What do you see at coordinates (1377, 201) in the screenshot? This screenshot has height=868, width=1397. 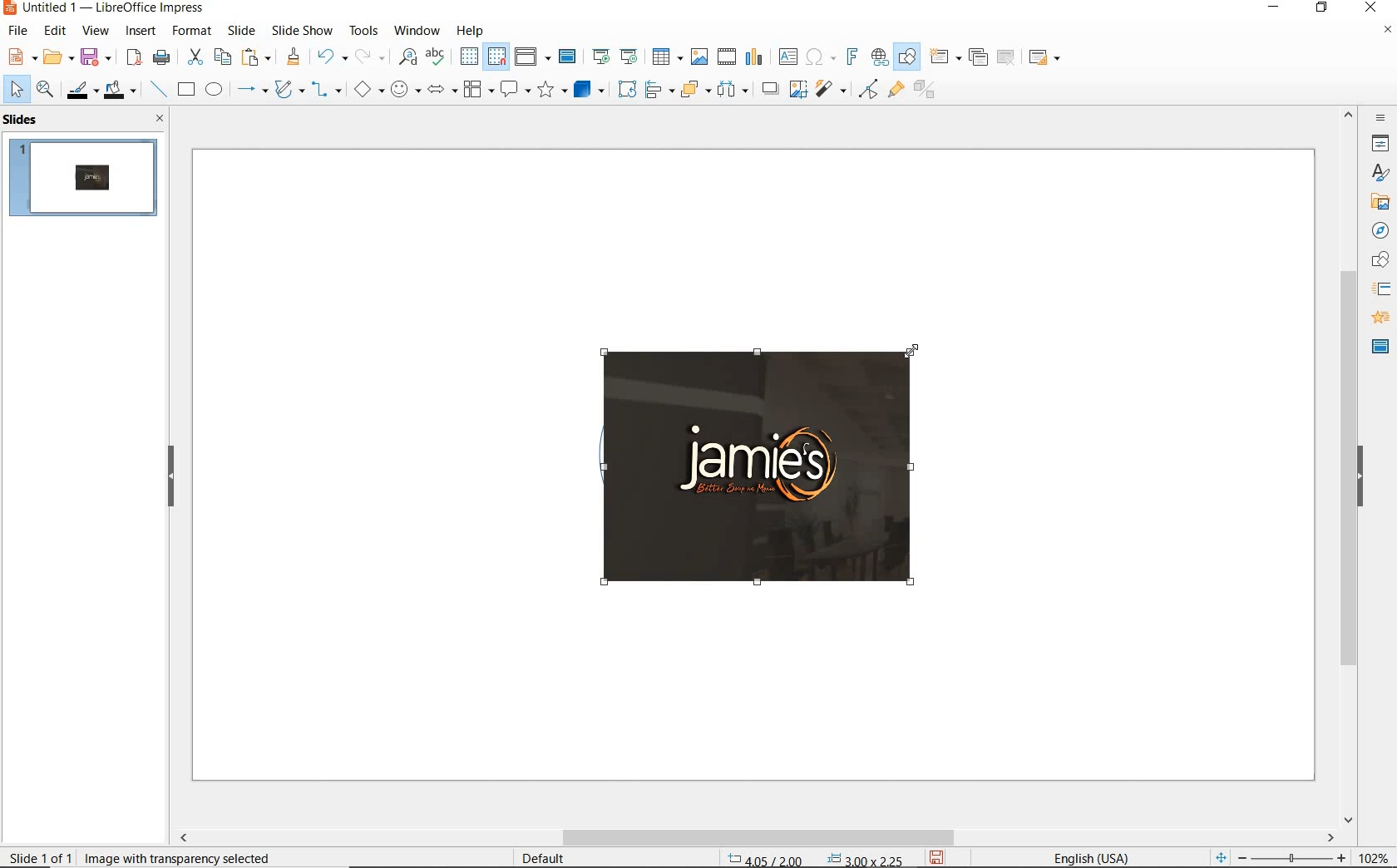 I see `gallery` at bounding box center [1377, 201].